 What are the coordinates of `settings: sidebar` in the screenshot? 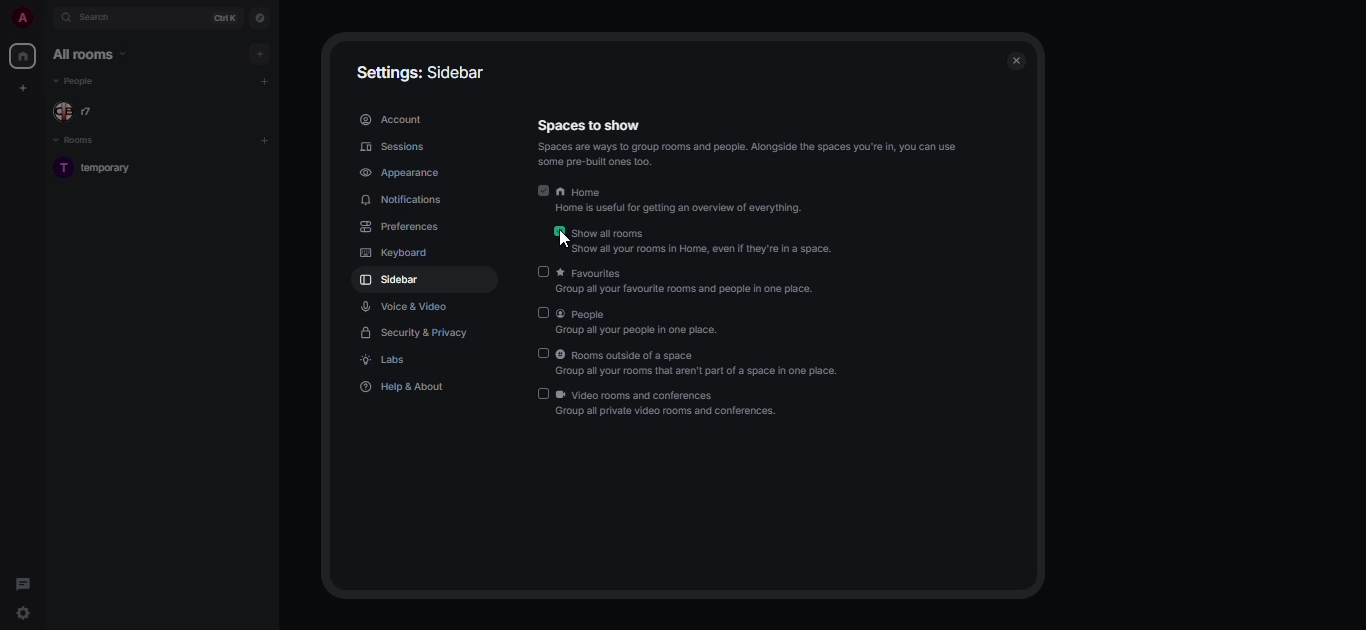 It's located at (417, 71).